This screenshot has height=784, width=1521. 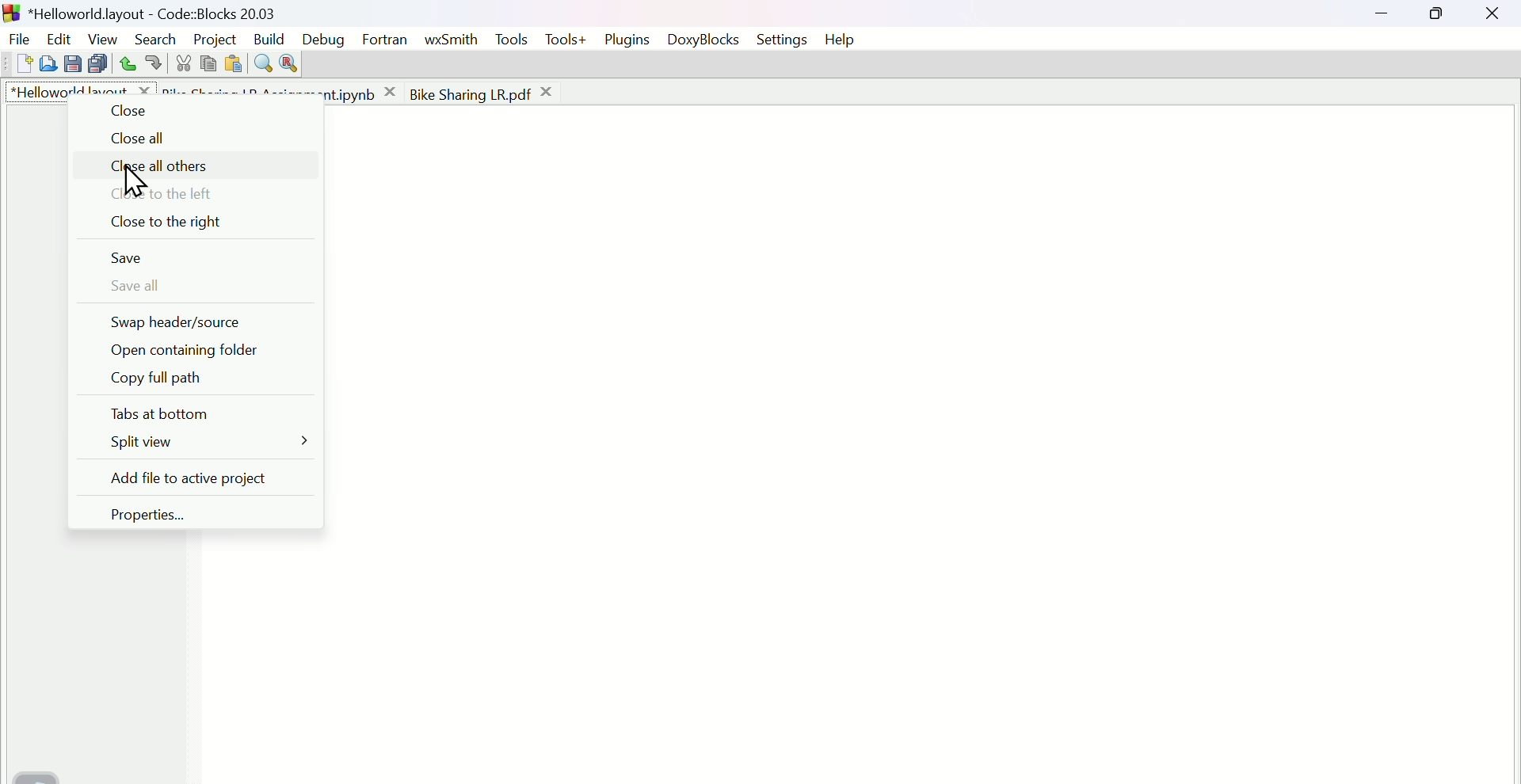 What do you see at coordinates (155, 195) in the screenshot?
I see `Close to the left` at bounding box center [155, 195].